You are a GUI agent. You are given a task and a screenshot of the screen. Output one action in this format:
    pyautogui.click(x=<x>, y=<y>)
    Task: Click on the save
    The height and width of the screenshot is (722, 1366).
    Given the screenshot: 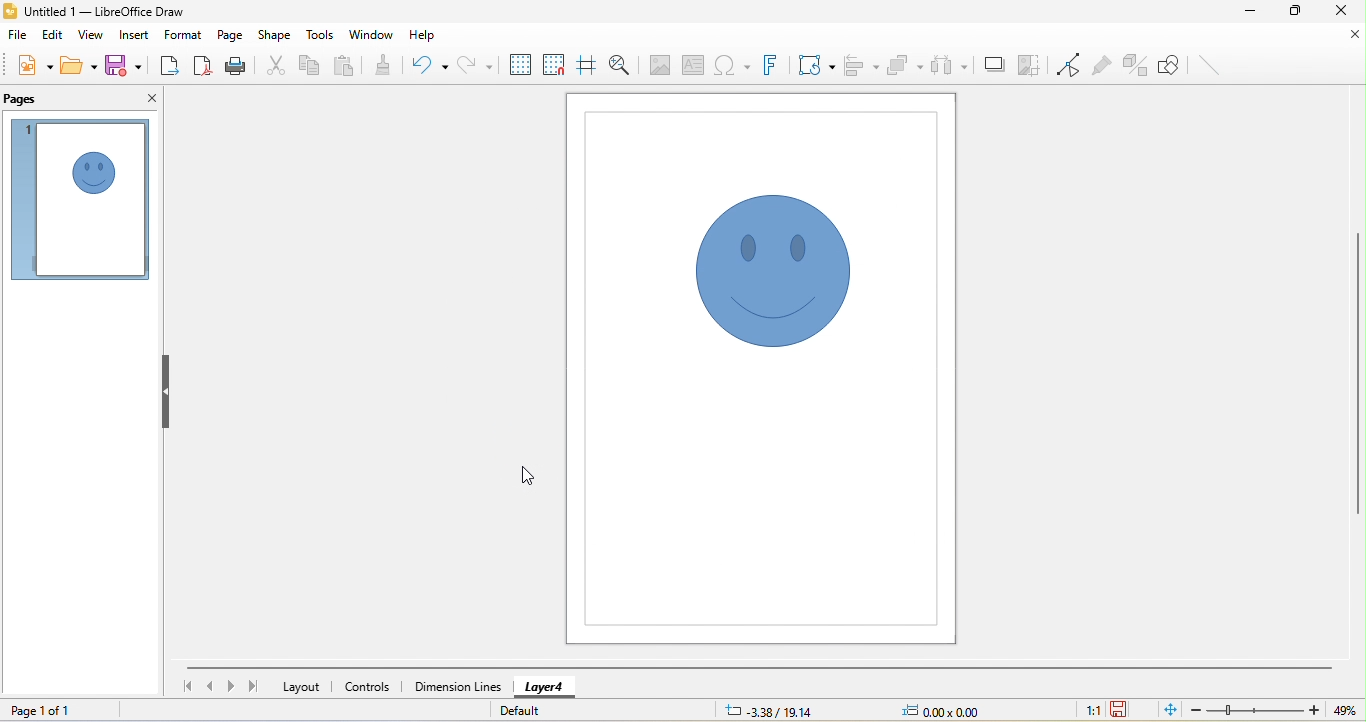 What is the action you would take?
    pyautogui.click(x=123, y=64)
    